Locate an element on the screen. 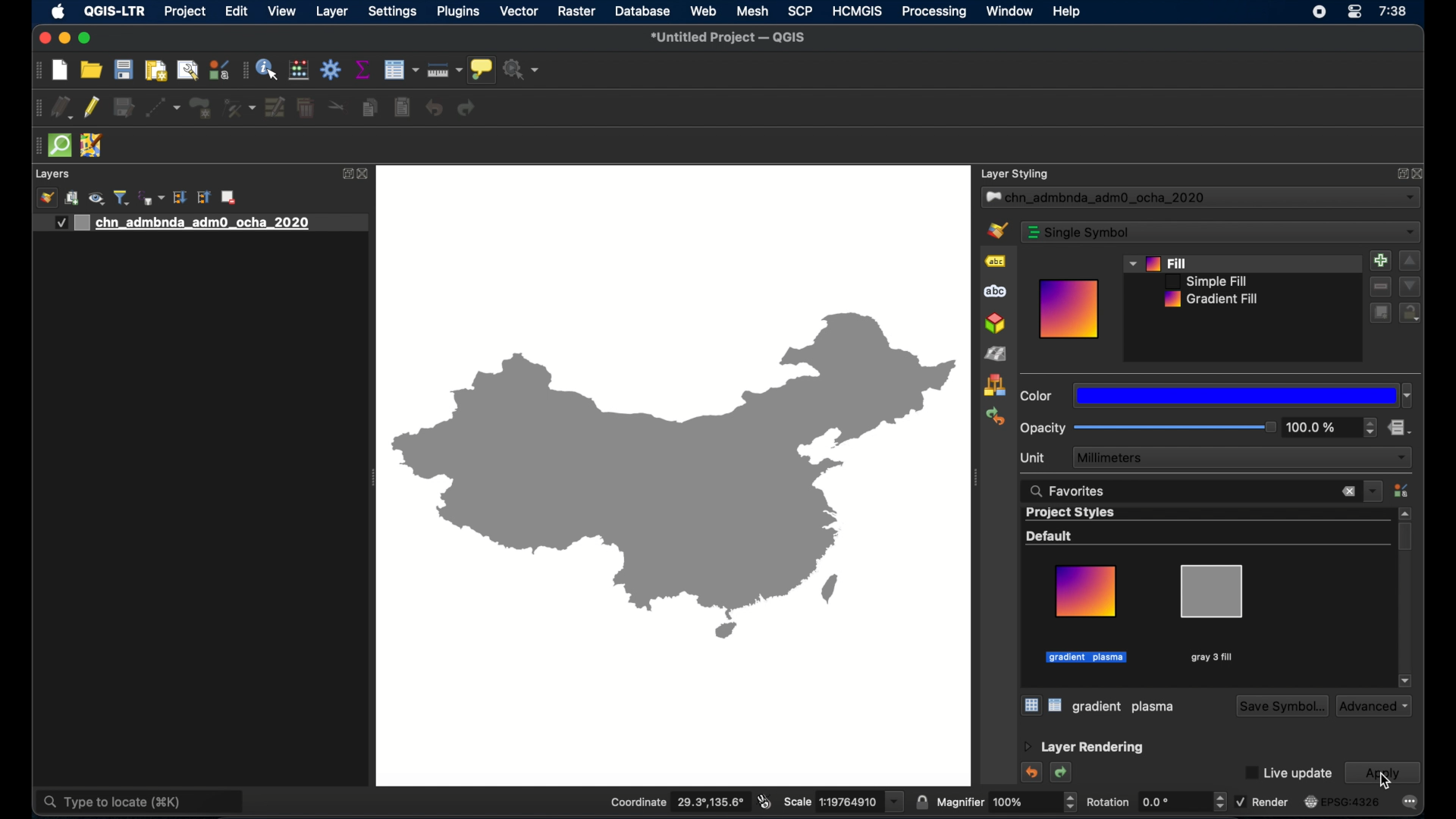  single symbol dropdown is located at coordinates (1220, 232).